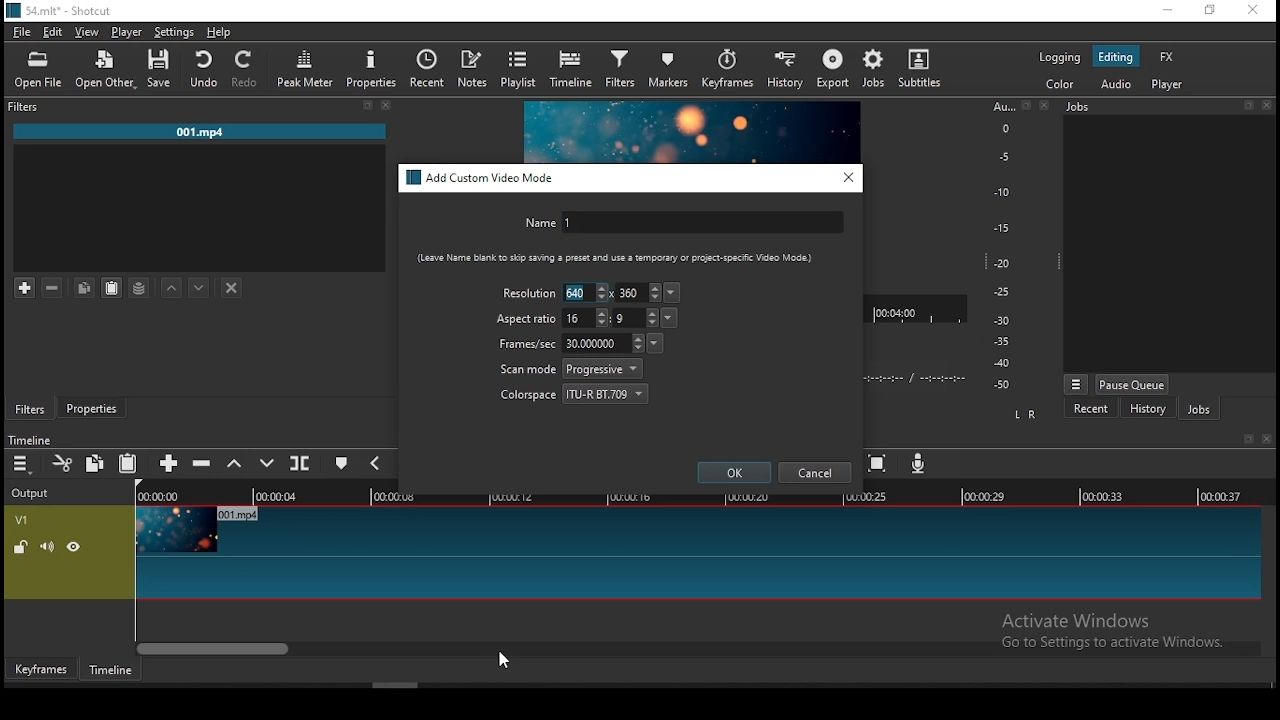  Describe the element at coordinates (1270, 439) in the screenshot. I see `close` at that location.